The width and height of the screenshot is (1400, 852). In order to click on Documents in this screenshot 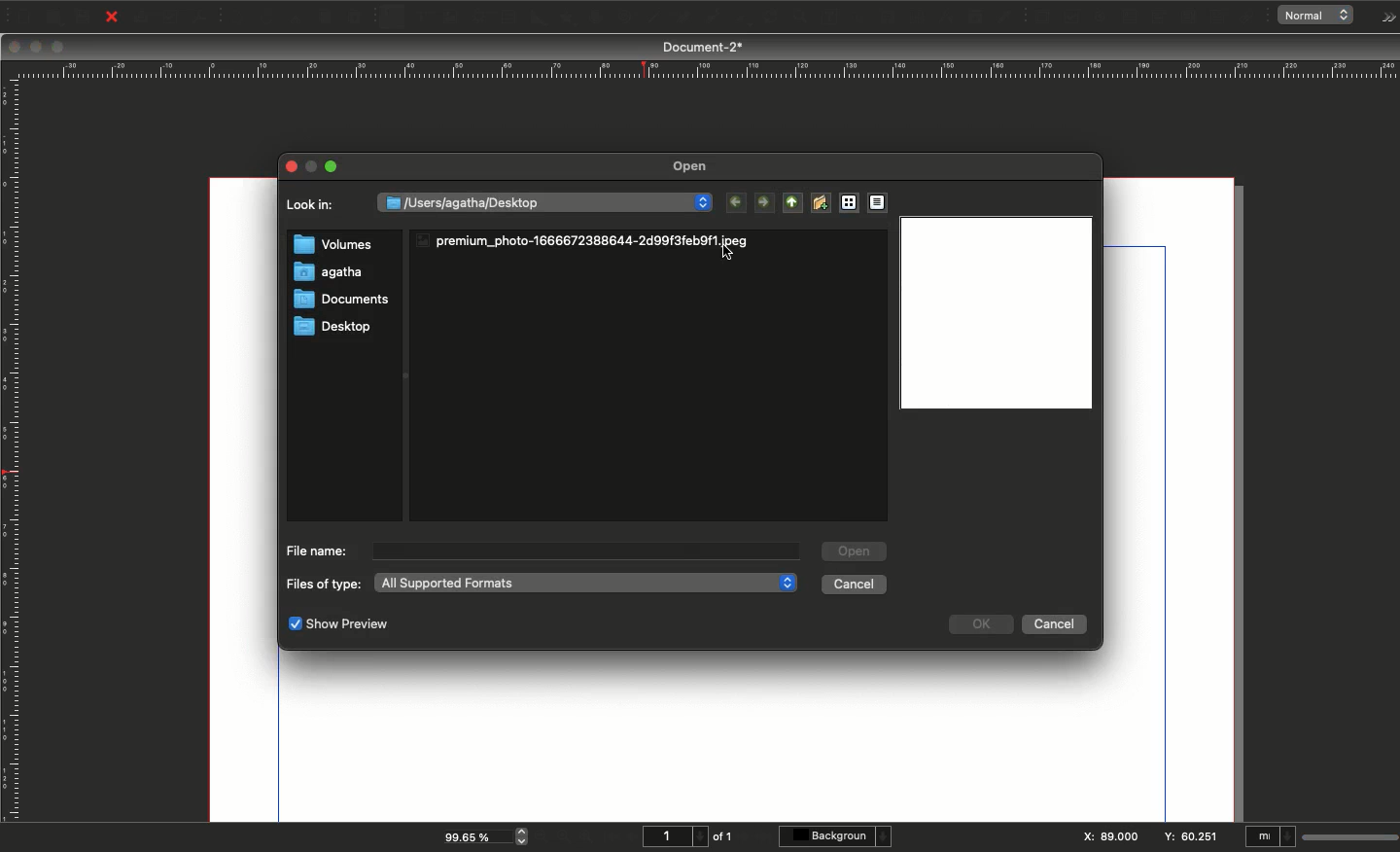, I will do `click(334, 302)`.